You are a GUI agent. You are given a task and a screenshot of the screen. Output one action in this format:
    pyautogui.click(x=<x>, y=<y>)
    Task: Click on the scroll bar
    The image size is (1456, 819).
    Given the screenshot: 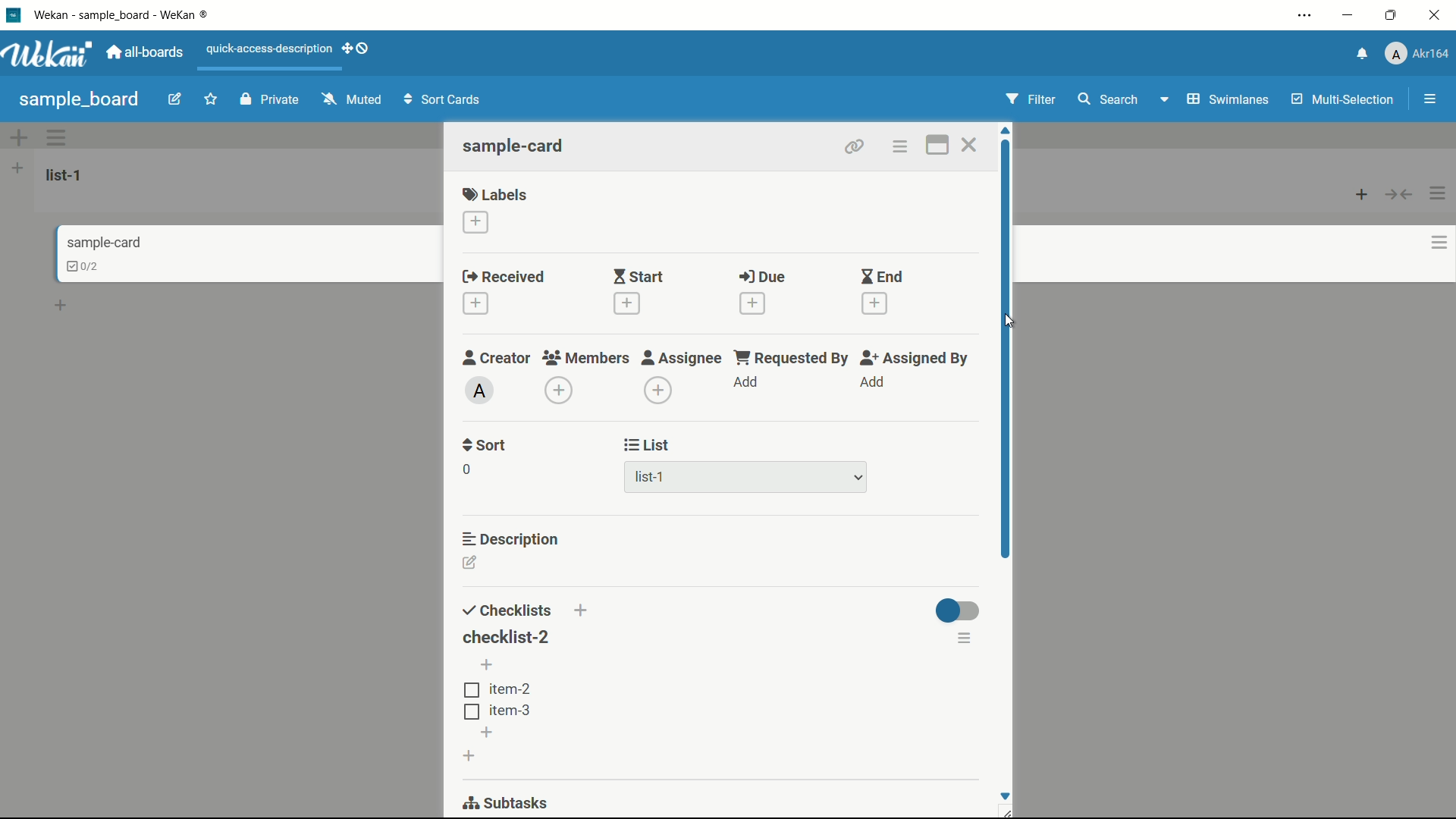 What is the action you would take?
    pyautogui.click(x=1005, y=347)
    